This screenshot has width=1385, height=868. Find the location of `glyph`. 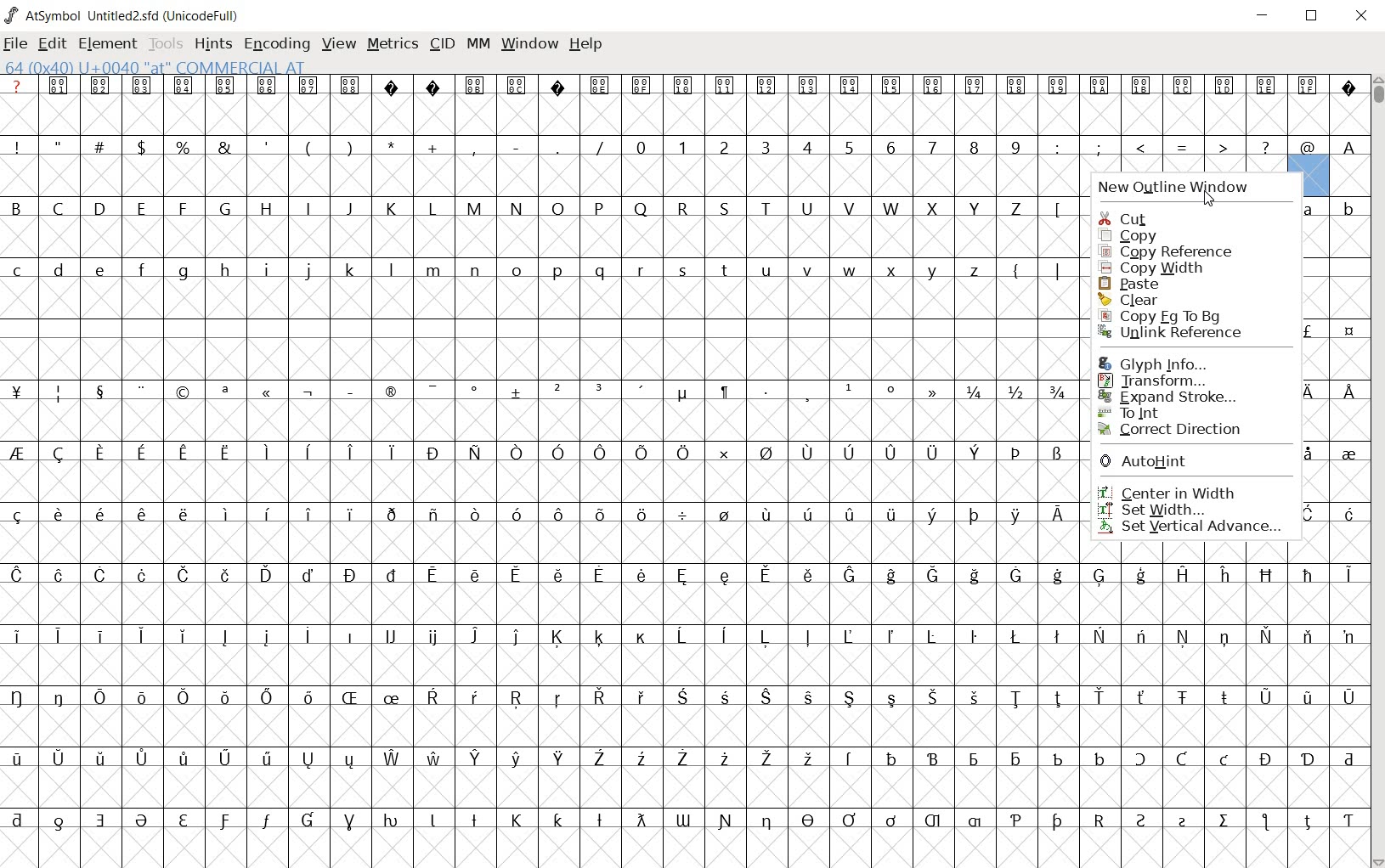

glyph is located at coordinates (1224, 703).